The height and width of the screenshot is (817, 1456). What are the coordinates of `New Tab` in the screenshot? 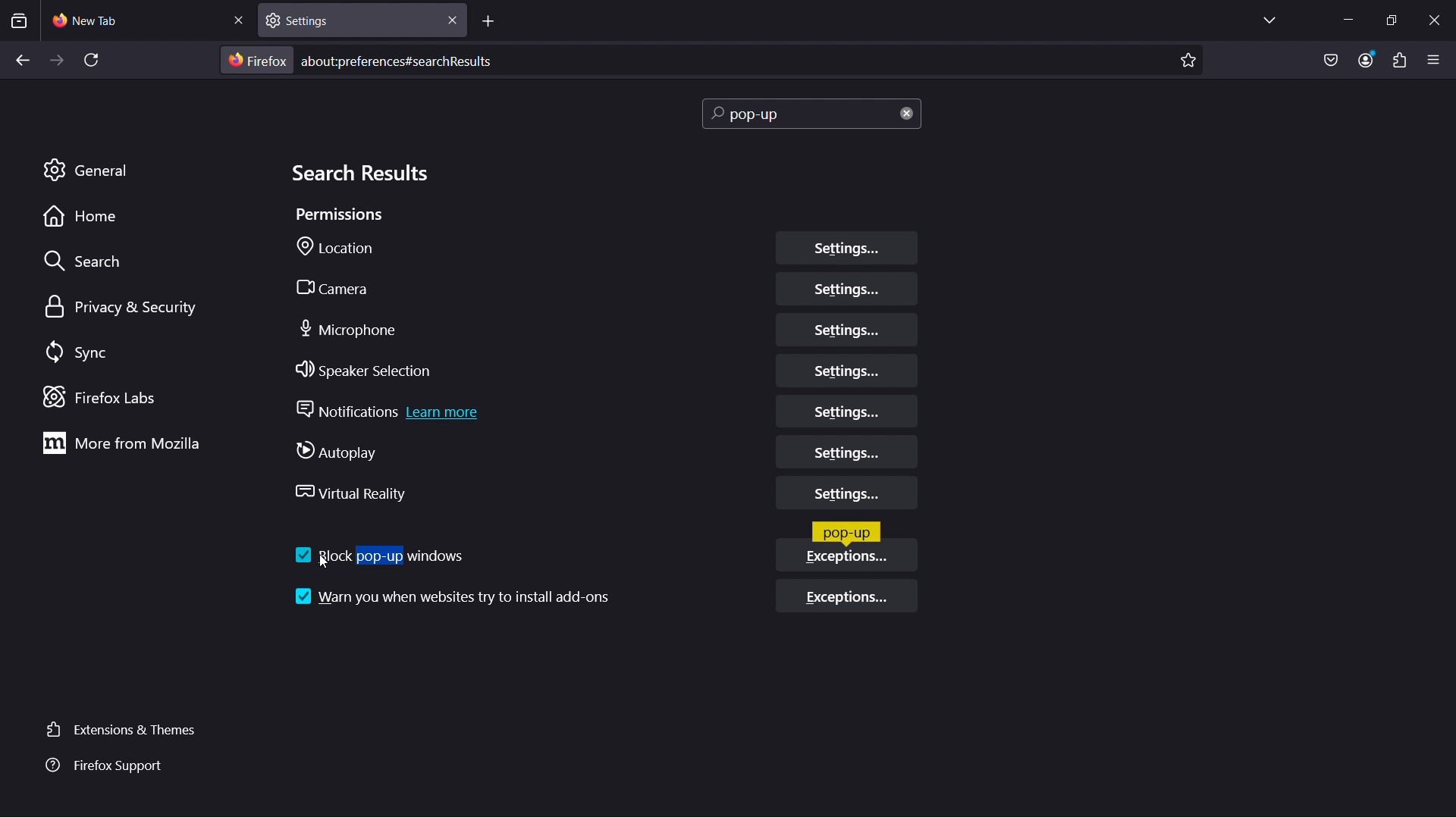 It's located at (149, 22).